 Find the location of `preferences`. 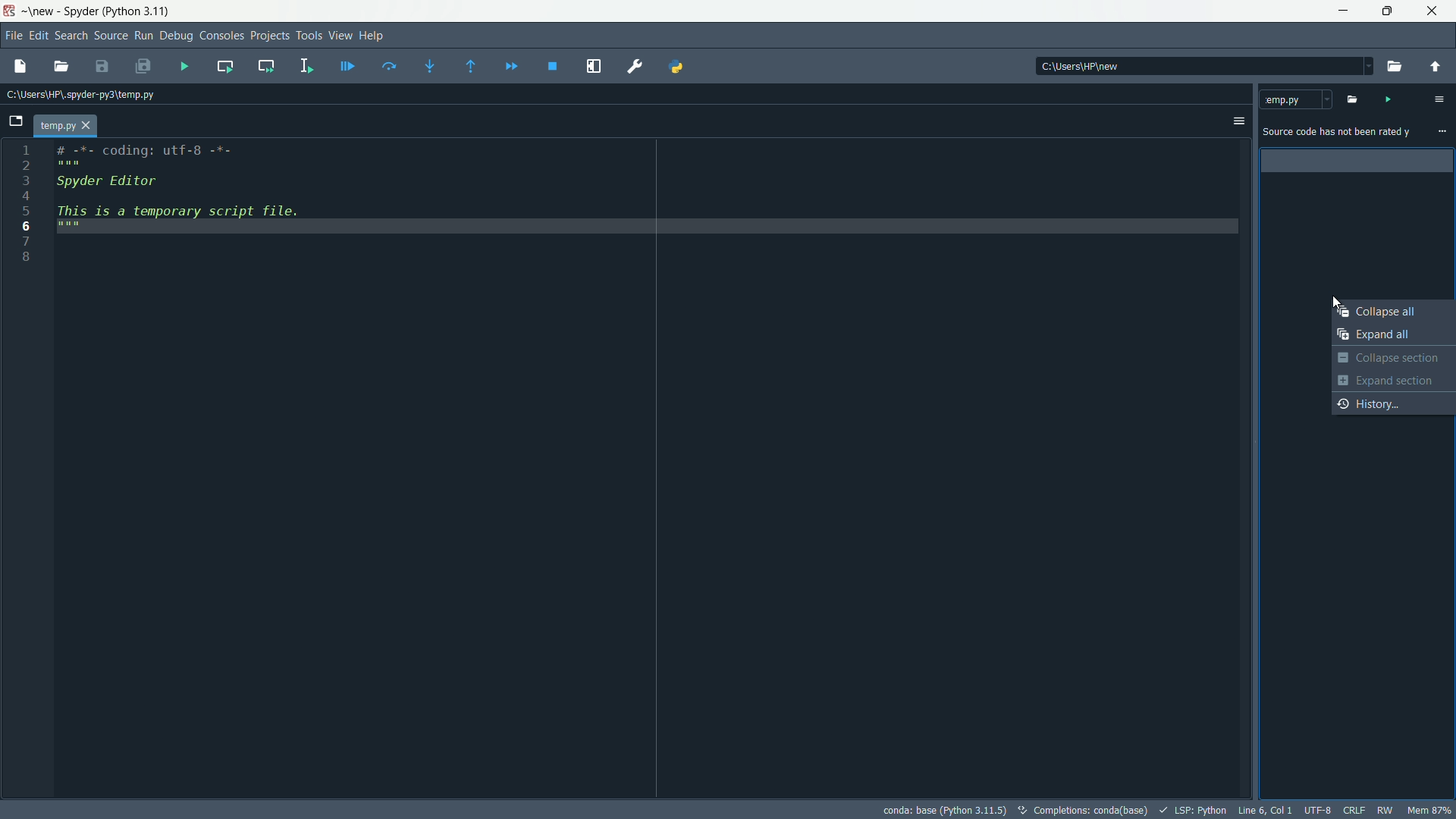

preferences is located at coordinates (638, 67).